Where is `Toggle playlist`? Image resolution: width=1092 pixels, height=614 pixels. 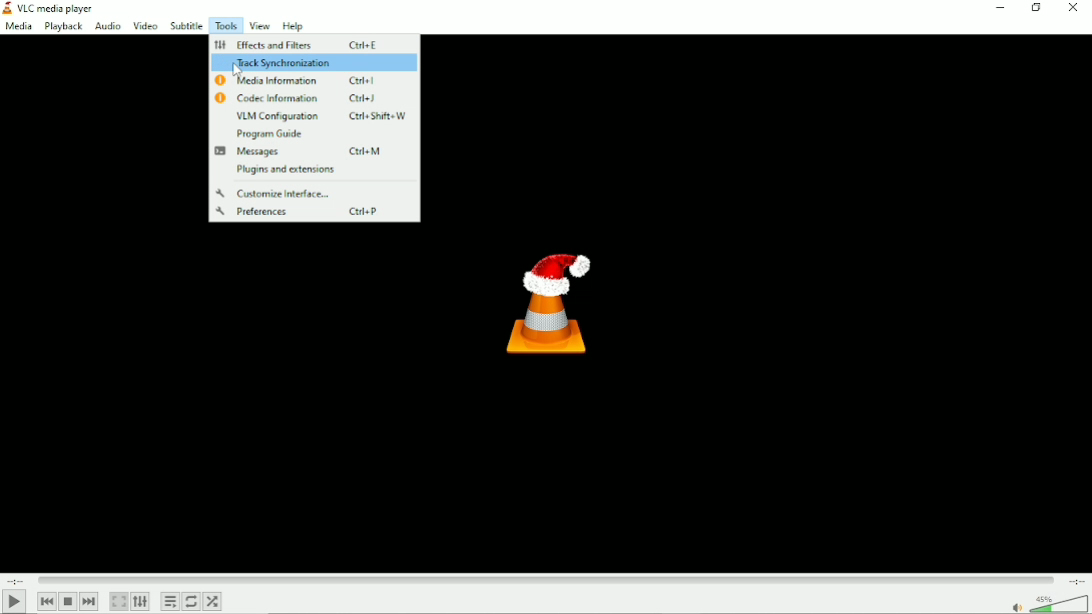
Toggle playlist is located at coordinates (170, 601).